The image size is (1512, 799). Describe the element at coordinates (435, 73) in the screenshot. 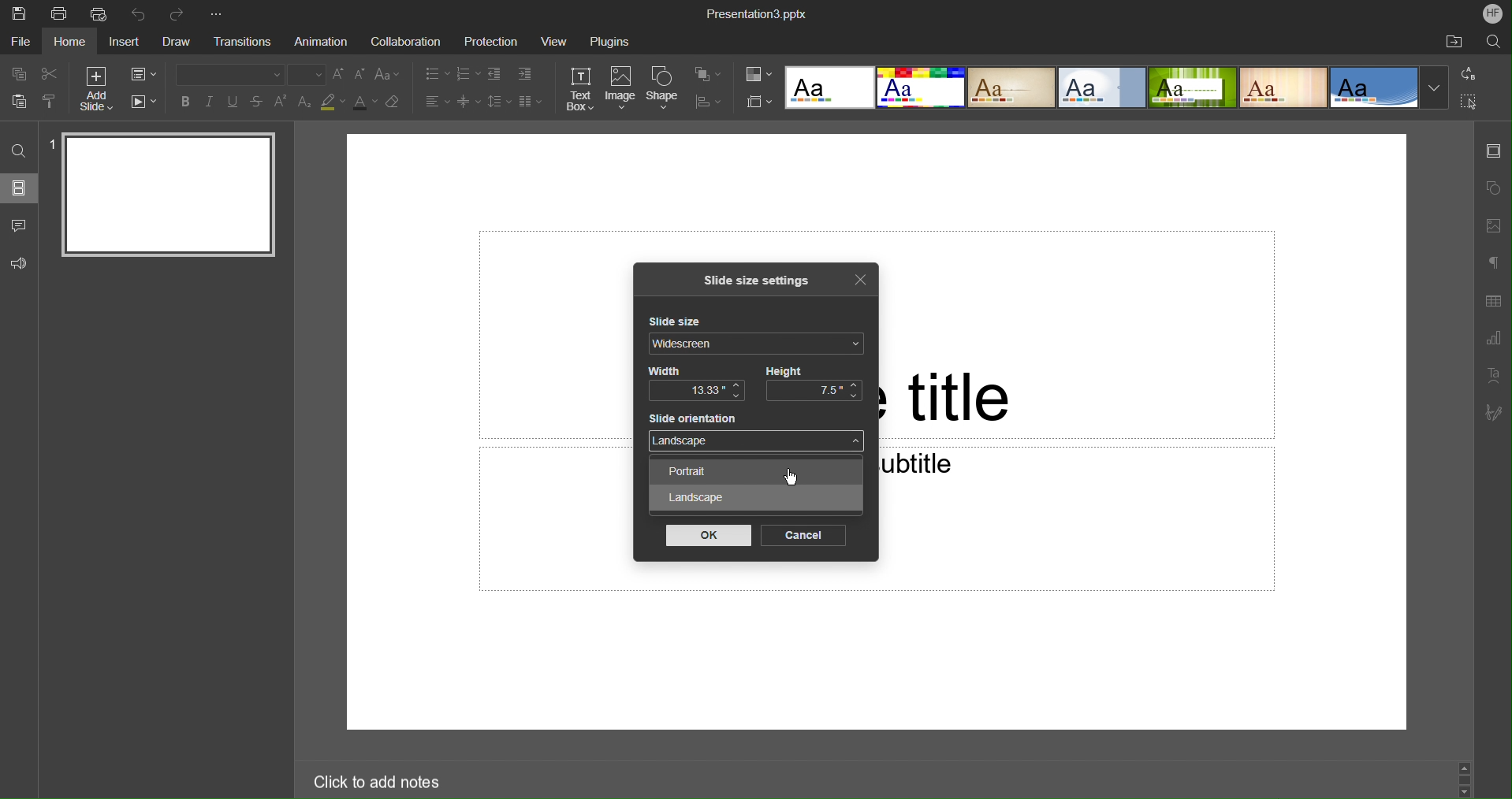

I see `Bullet Points` at that location.